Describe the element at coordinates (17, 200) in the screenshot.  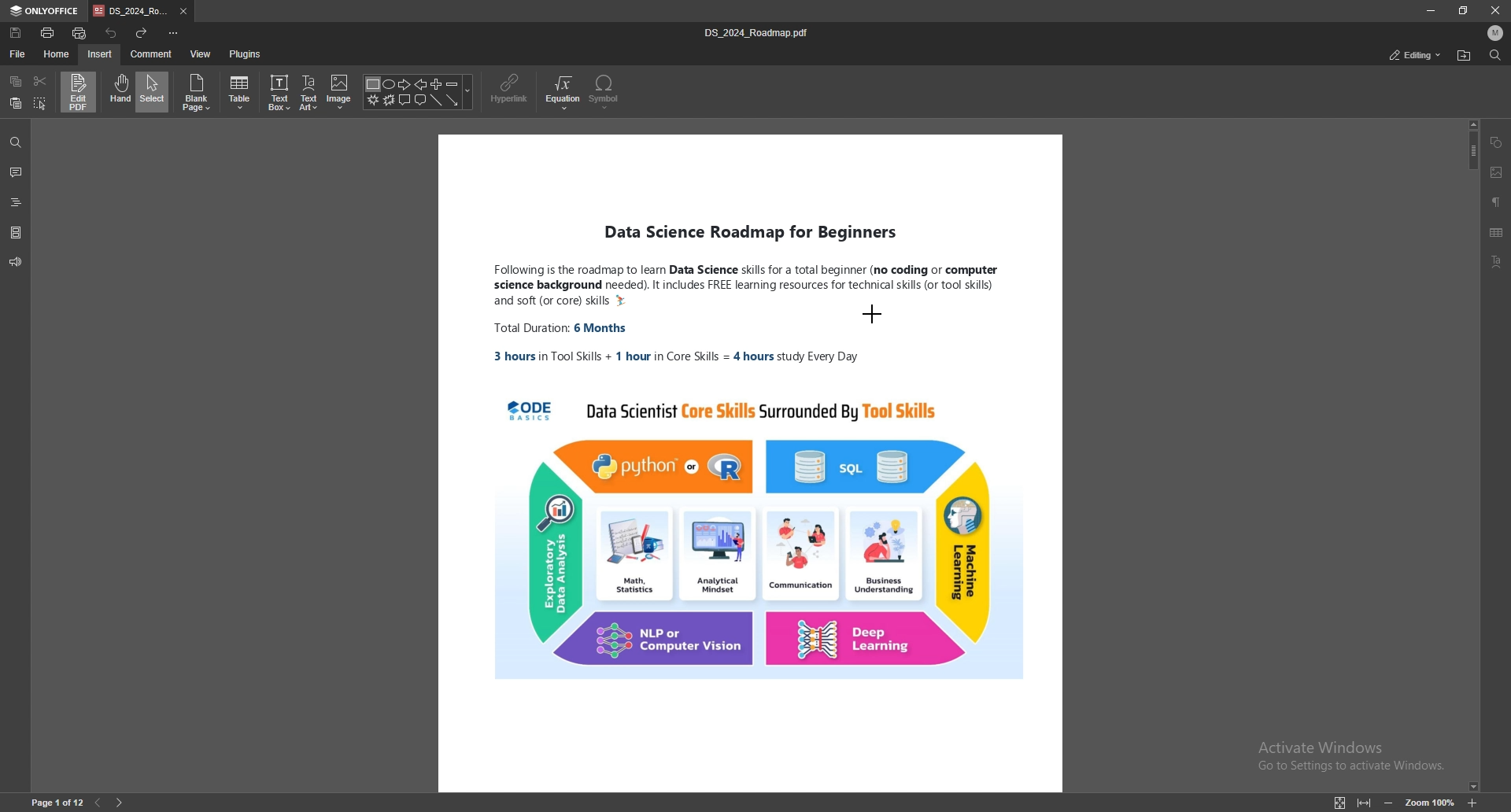
I see `headings` at that location.